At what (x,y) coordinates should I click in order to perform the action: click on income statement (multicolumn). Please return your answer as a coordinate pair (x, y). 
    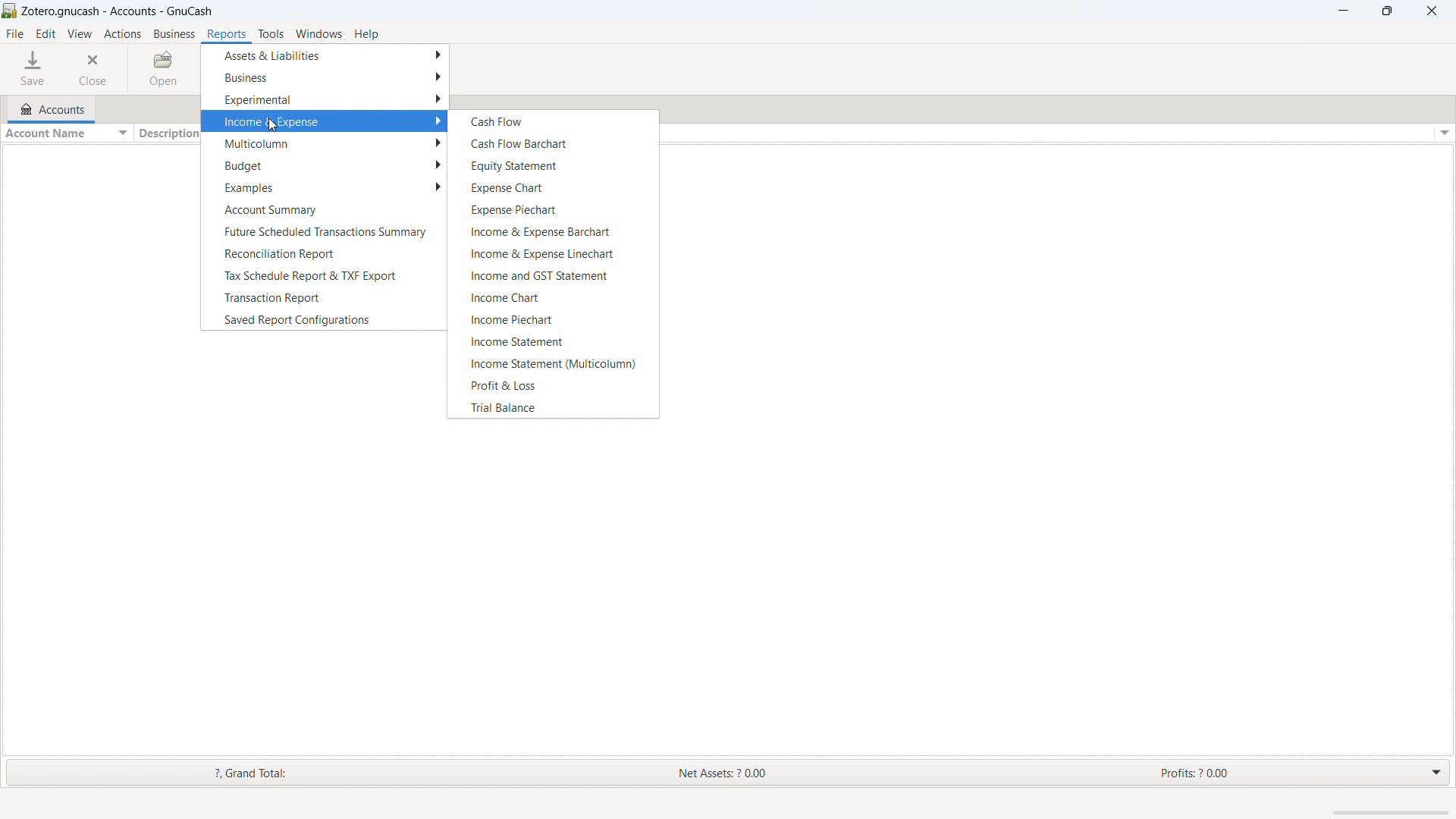
    Looking at the image, I should click on (552, 362).